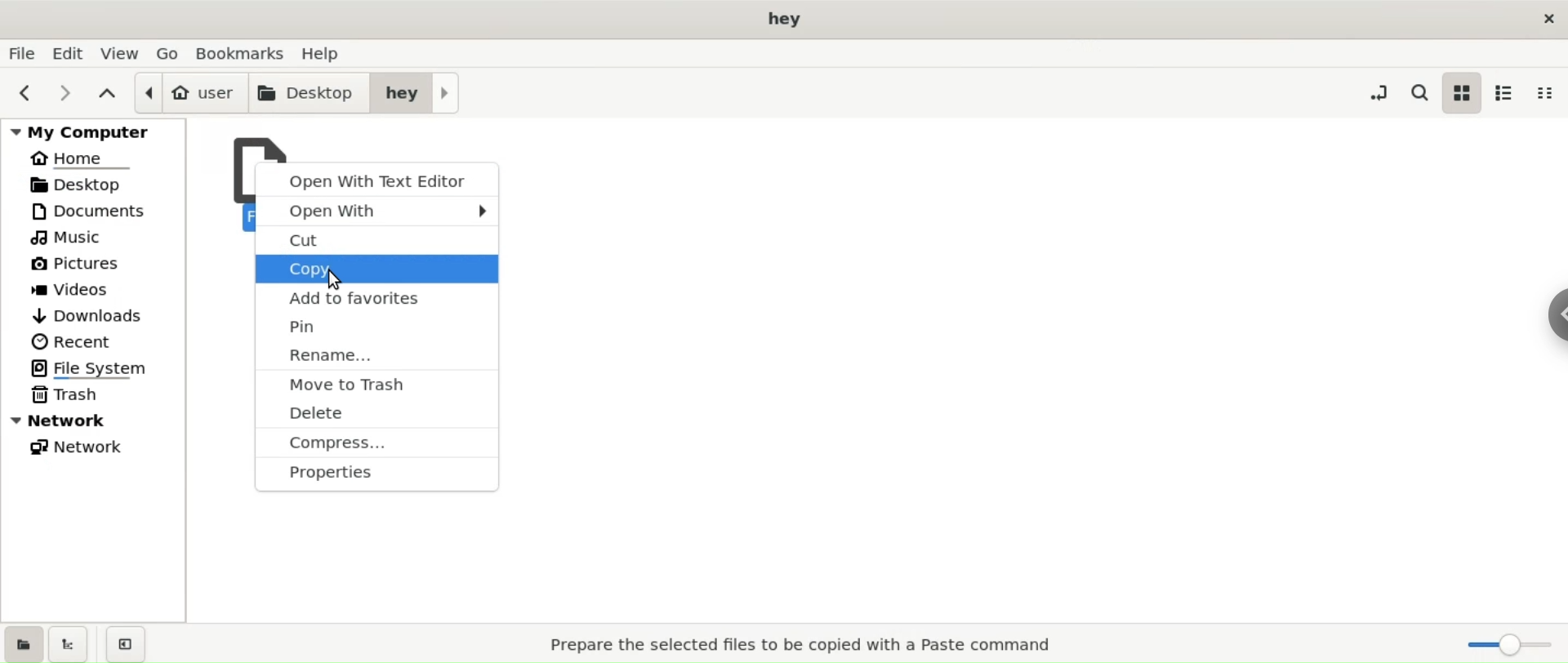  Describe the element at coordinates (99, 368) in the screenshot. I see `file system` at that location.